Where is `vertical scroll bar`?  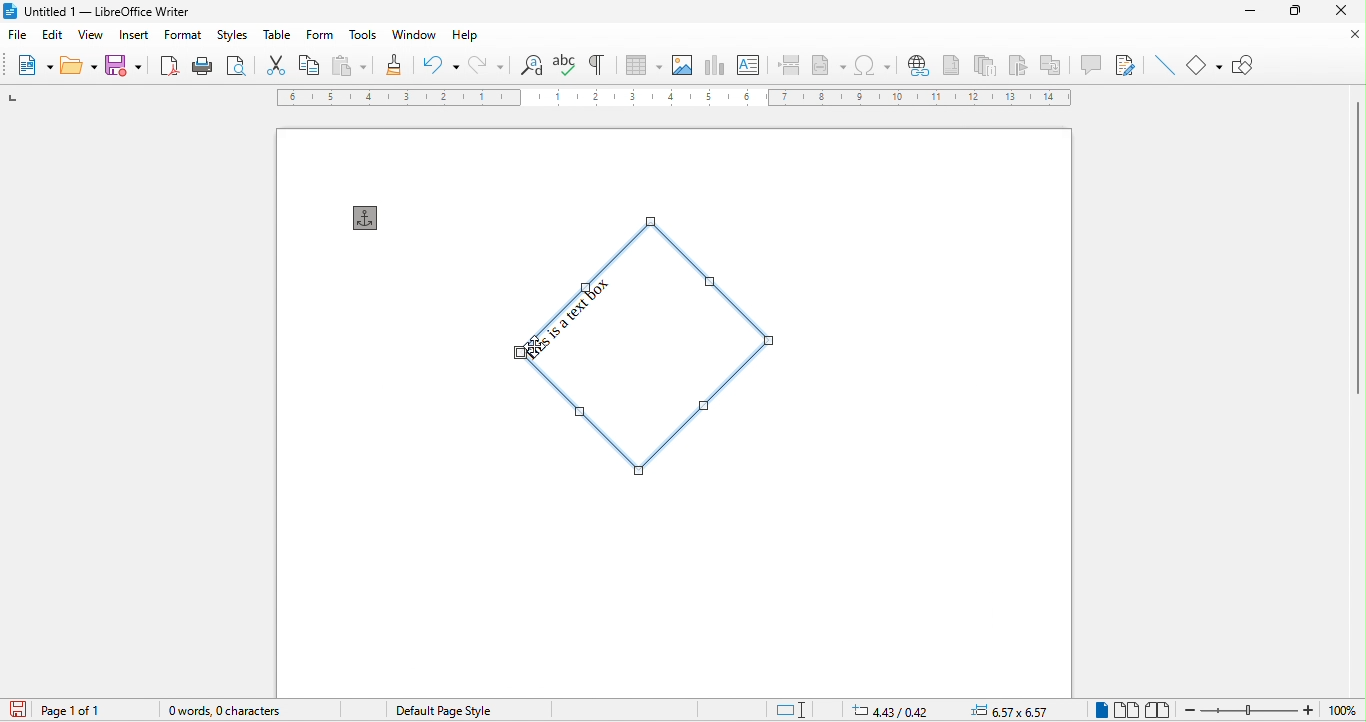 vertical scroll bar is located at coordinates (1355, 248).